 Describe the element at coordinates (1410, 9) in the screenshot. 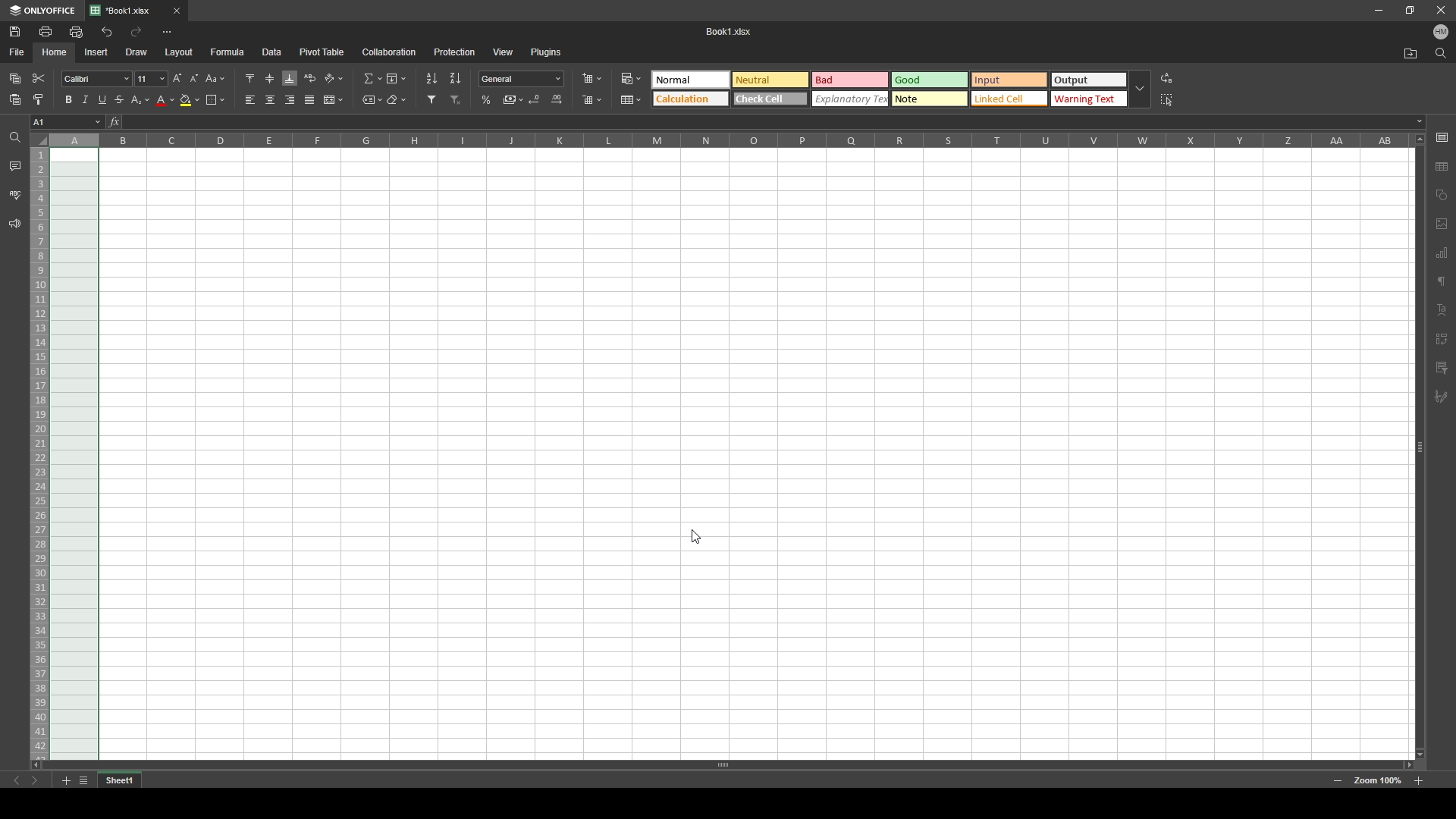

I see `resize` at that location.